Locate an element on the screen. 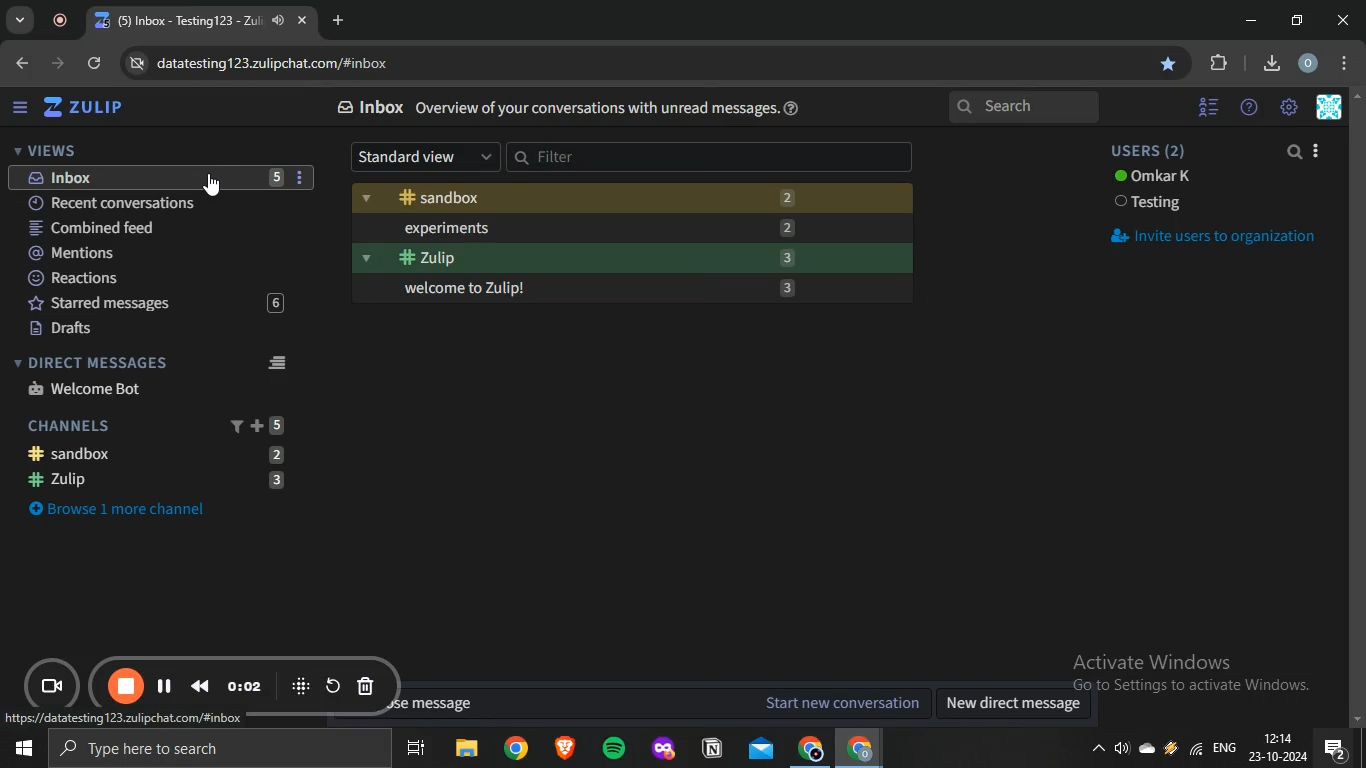  icon is located at coordinates (301, 685).